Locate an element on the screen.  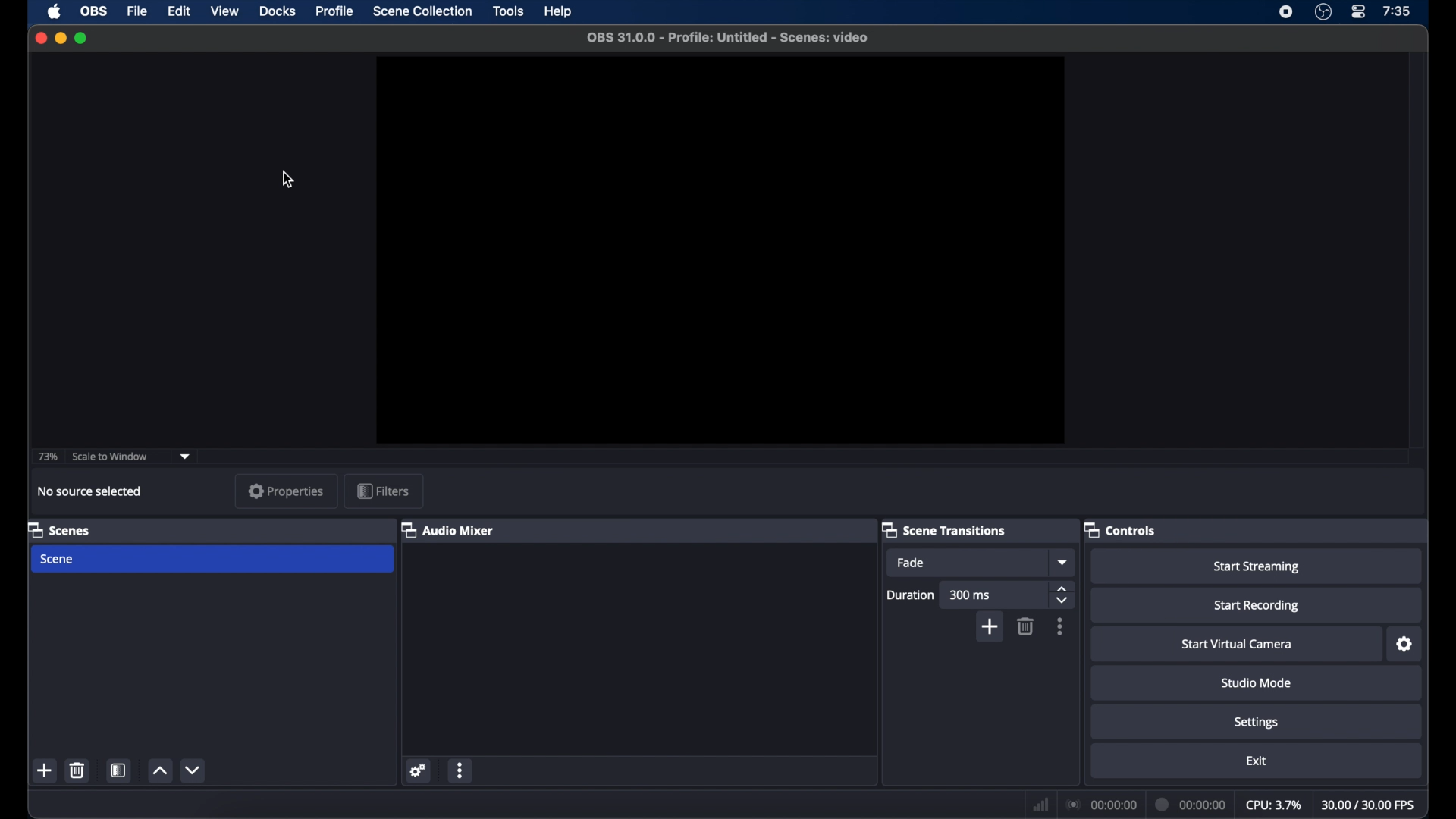
tools is located at coordinates (508, 11).